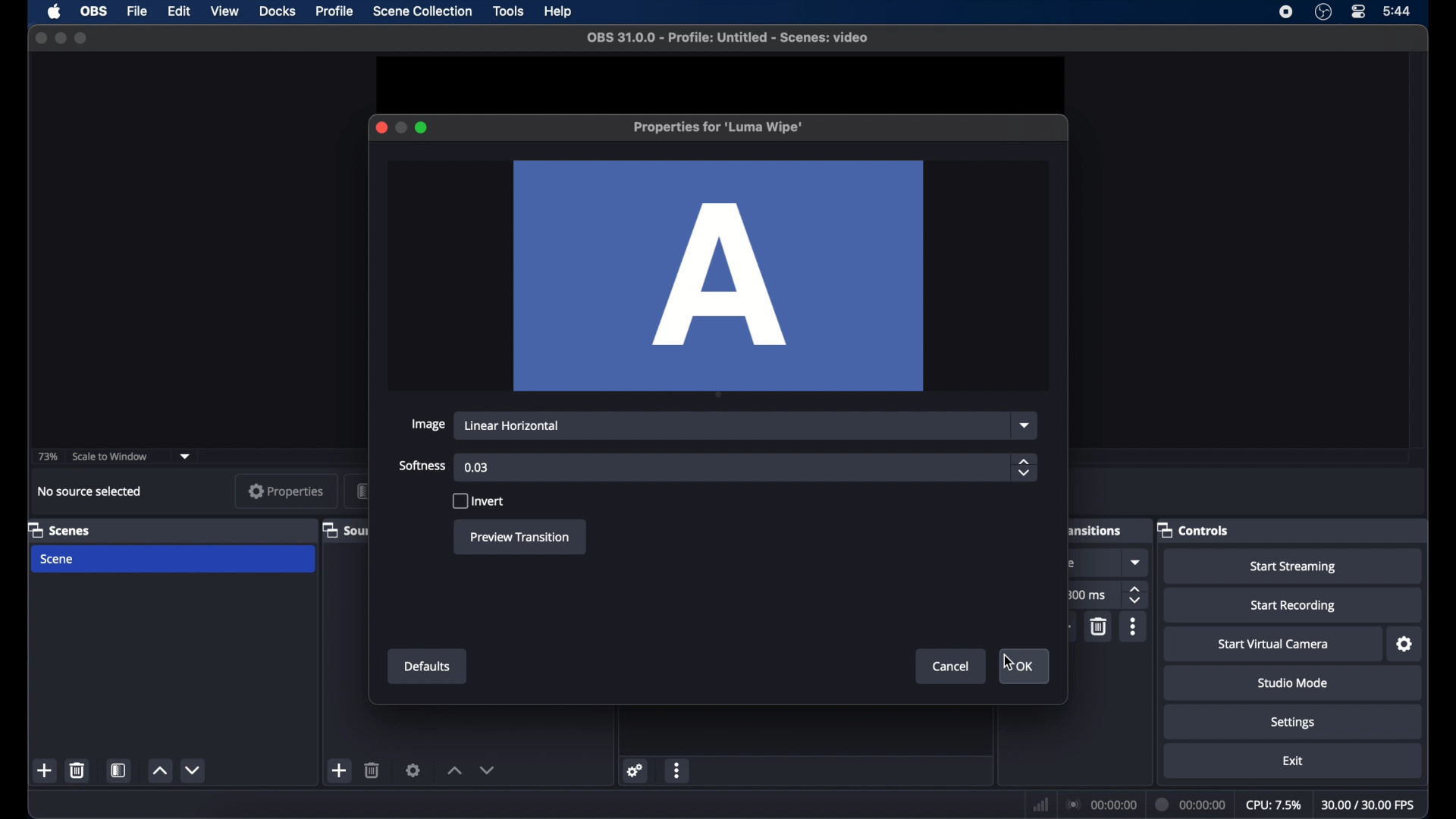 Image resolution: width=1456 pixels, height=819 pixels. What do you see at coordinates (508, 11) in the screenshot?
I see `tools` at bounding box center [508, 11].